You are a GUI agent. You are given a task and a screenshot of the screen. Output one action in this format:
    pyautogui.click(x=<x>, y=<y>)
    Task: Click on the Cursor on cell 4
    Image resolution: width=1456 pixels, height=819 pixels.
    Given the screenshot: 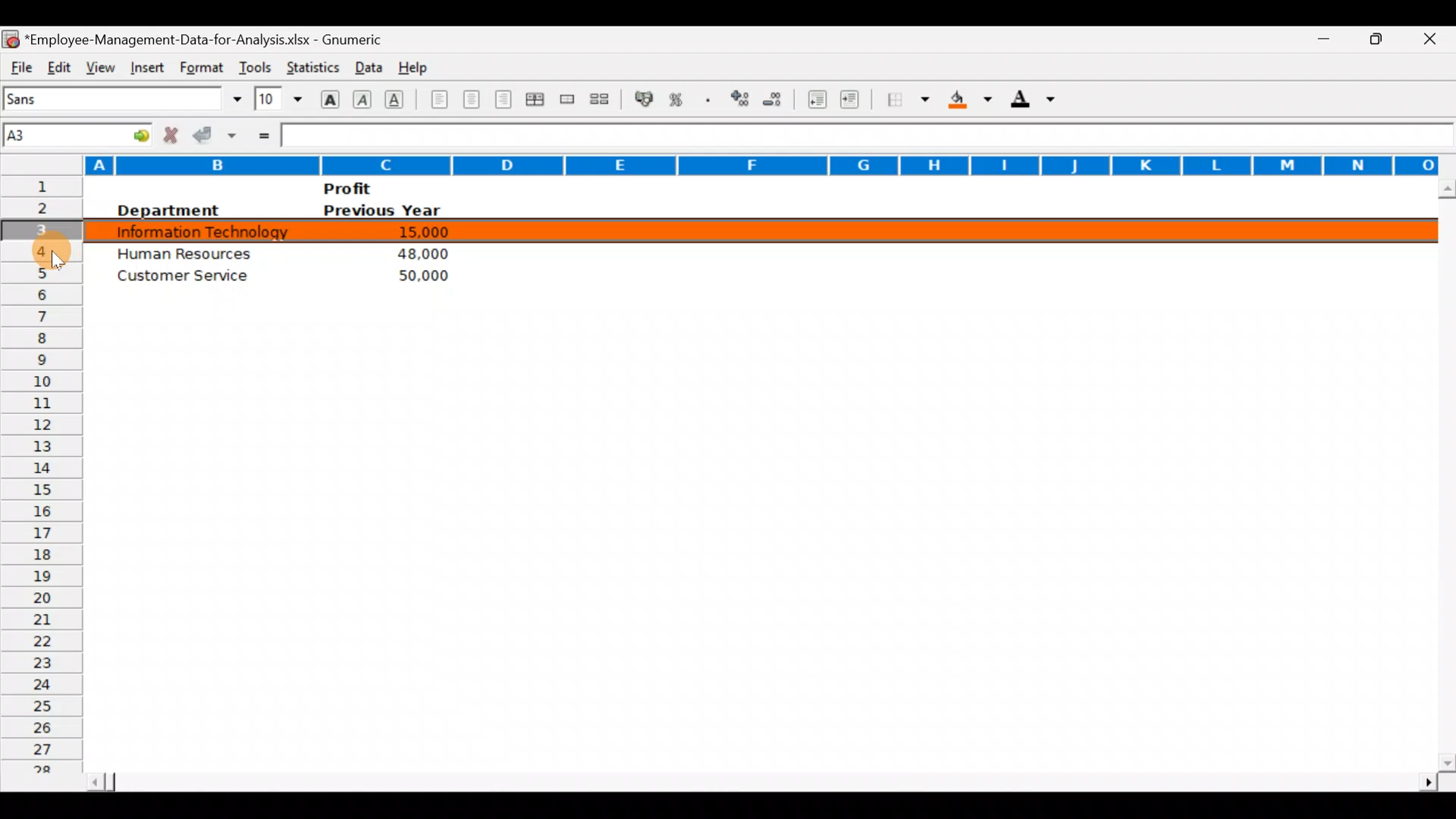 What is the action you would take?
    pyautogui.click(x=46, y=251)
    